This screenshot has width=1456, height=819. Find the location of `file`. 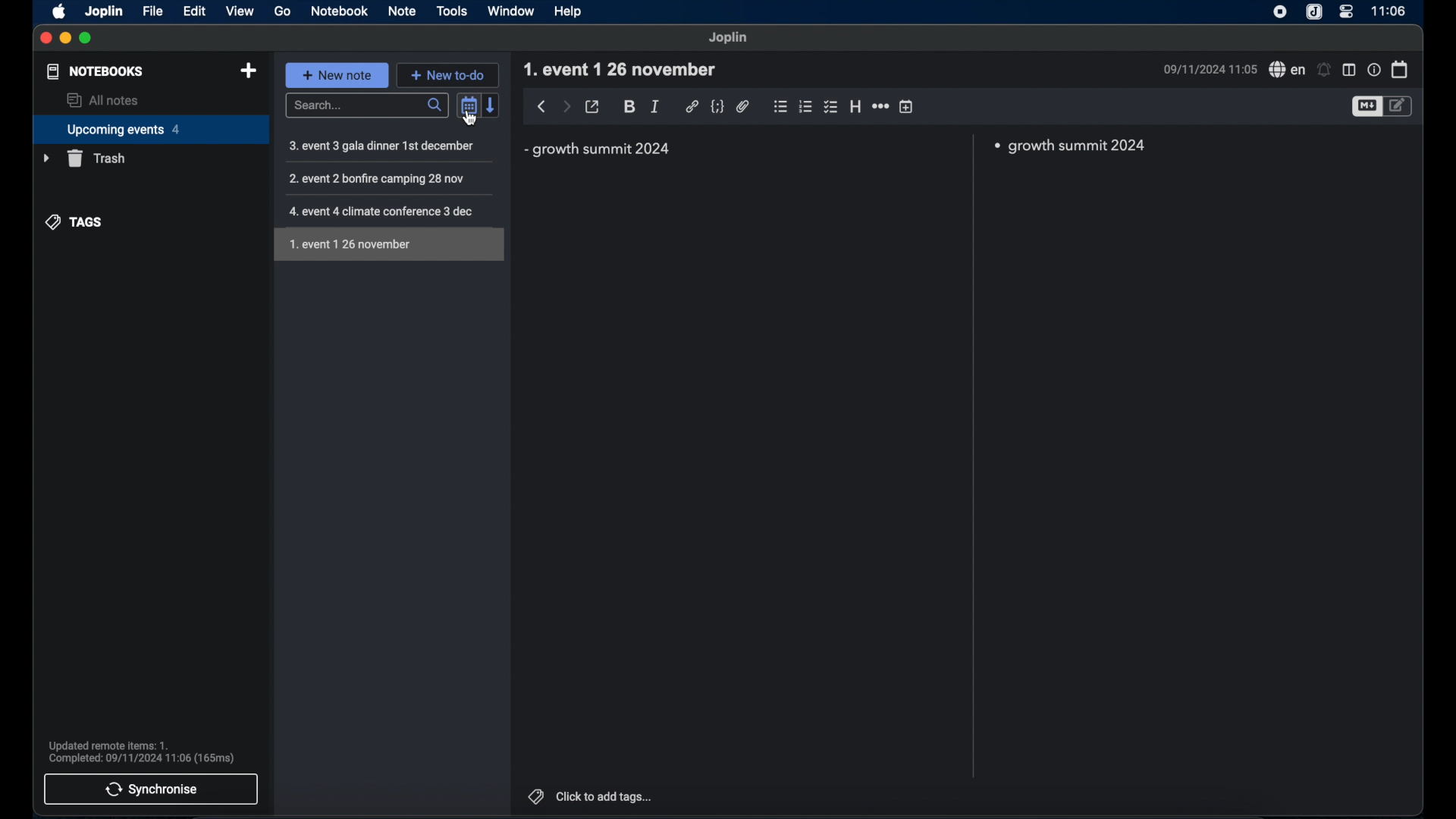

file is located at coordinates (154, 11).